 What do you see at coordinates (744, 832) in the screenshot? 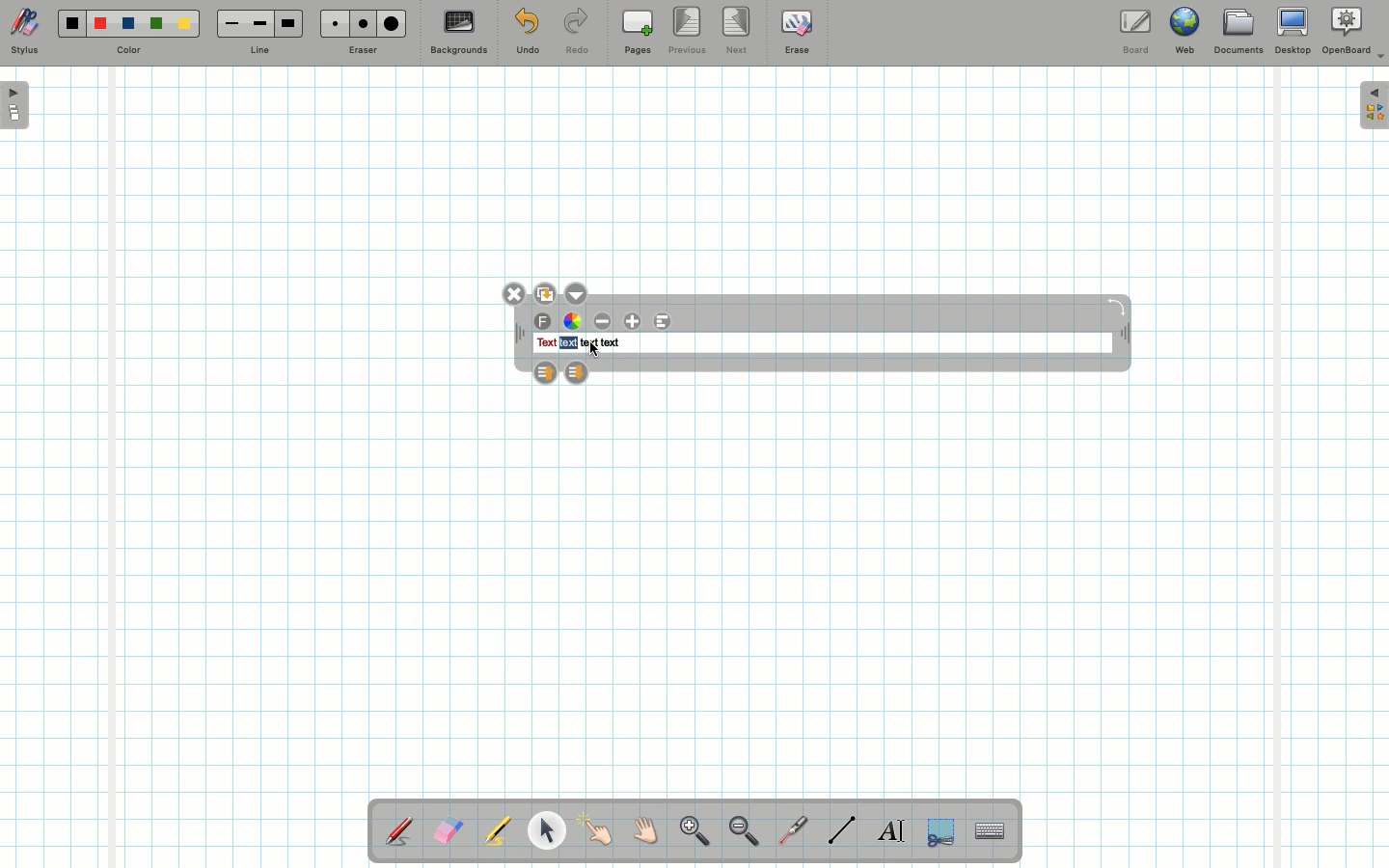
I see `Zoom out` at bounding box center [744, 832].